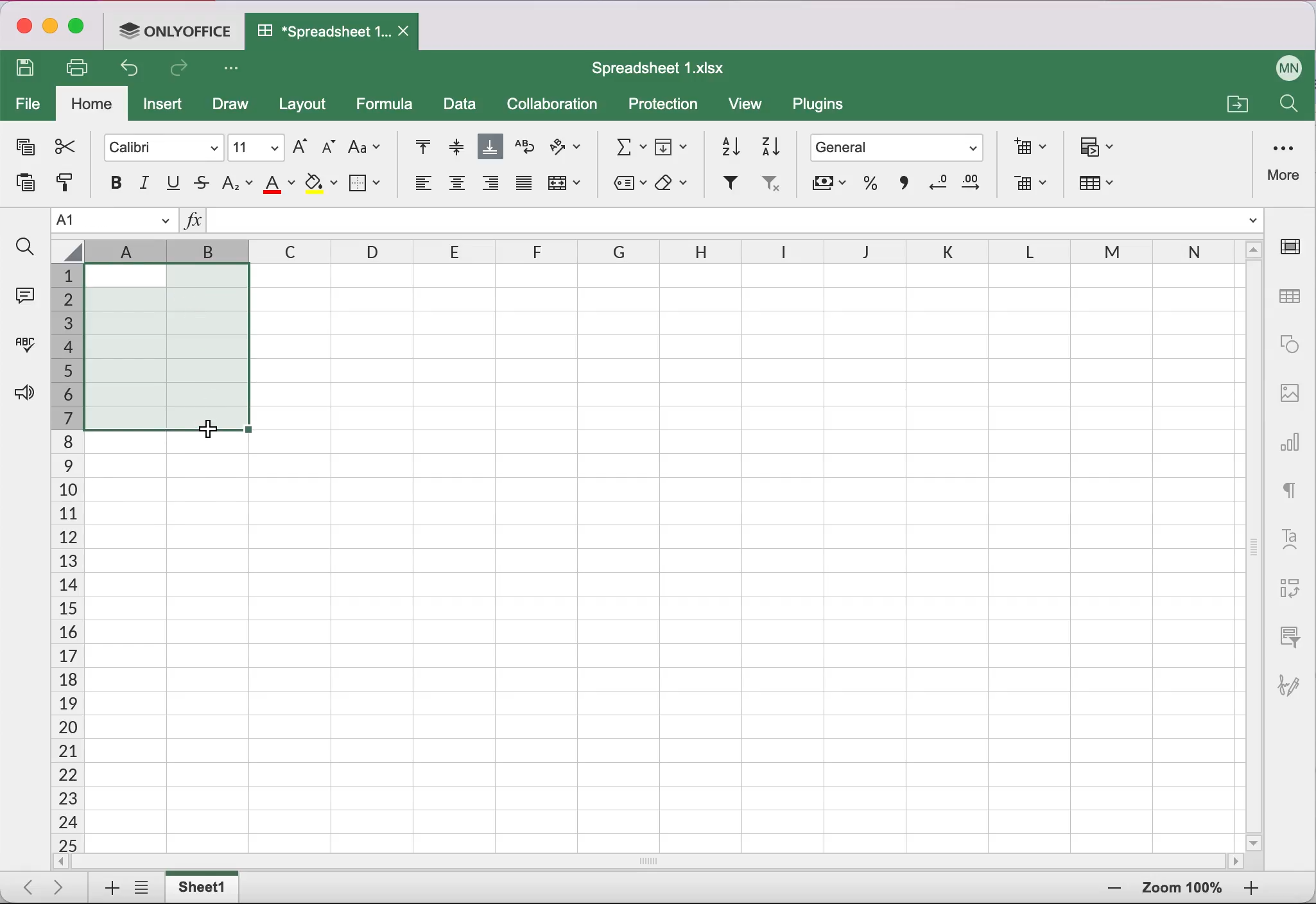 Image resolution: width=1316 pixels, height=904 pixels. Describe the element at coordinates (1026, 146) in the screenshot. I see `insert cells` at that location.